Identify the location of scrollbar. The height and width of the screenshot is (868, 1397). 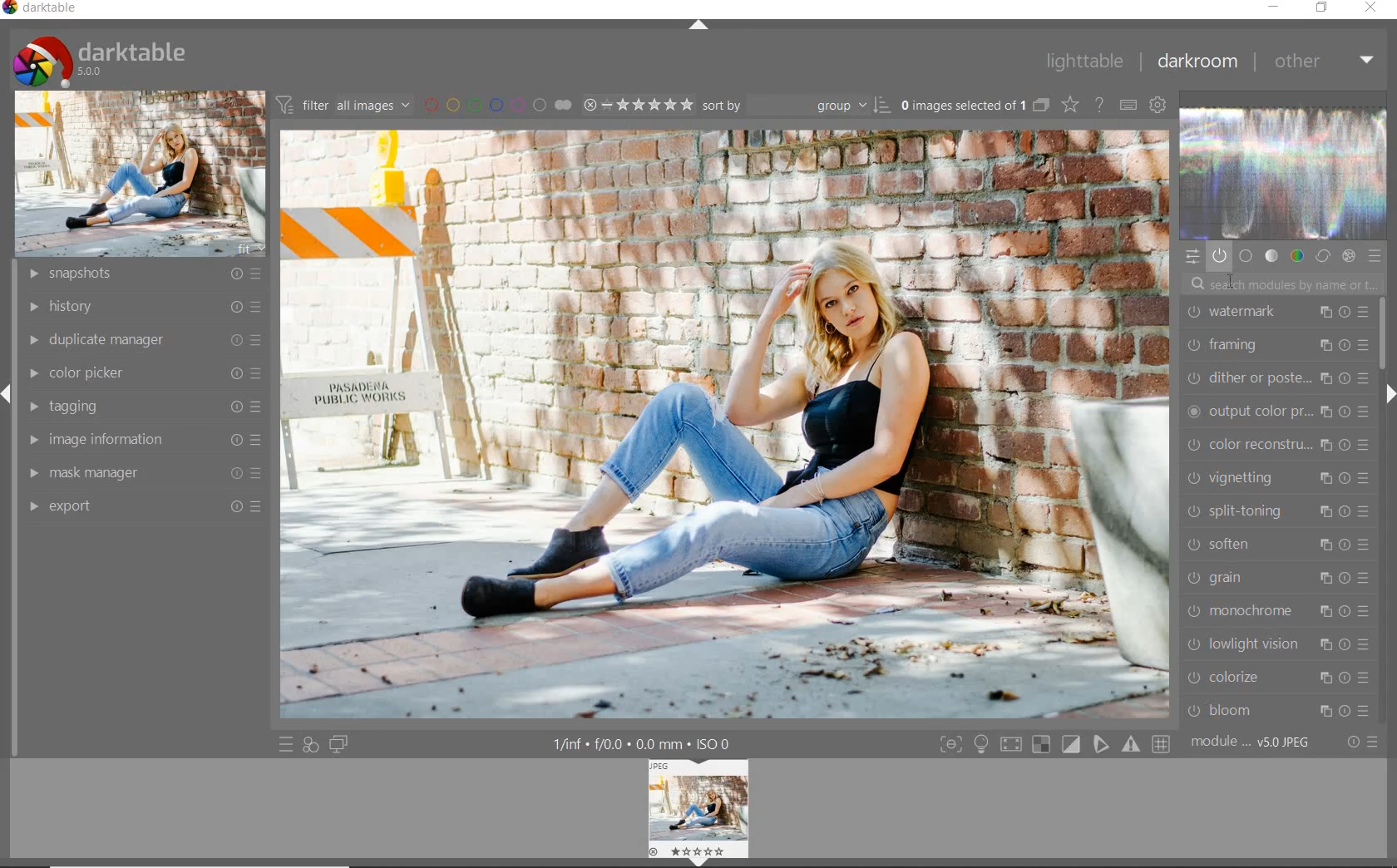
(1383, 334).